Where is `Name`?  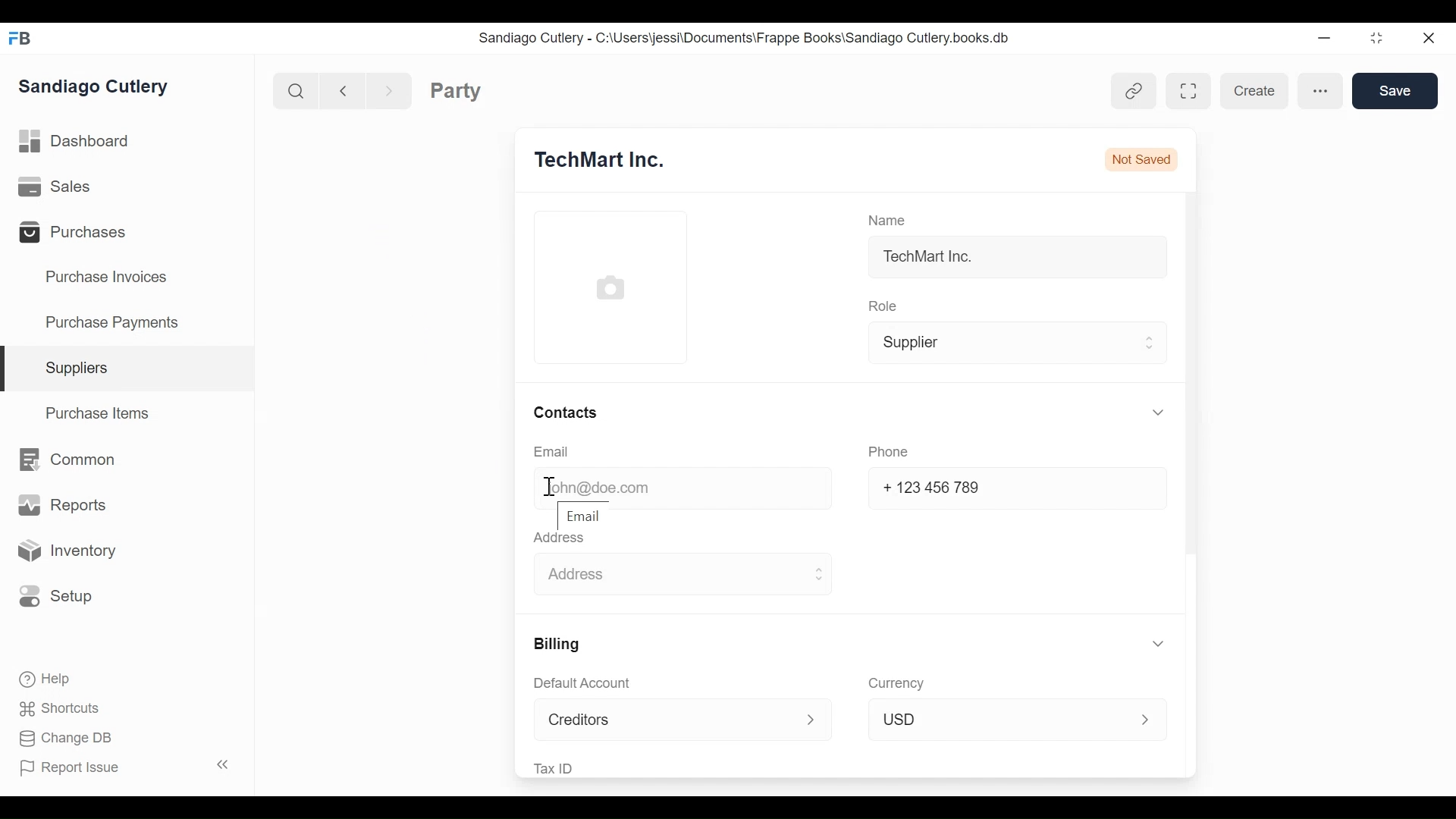 Name is located at coordinates (889, 218).